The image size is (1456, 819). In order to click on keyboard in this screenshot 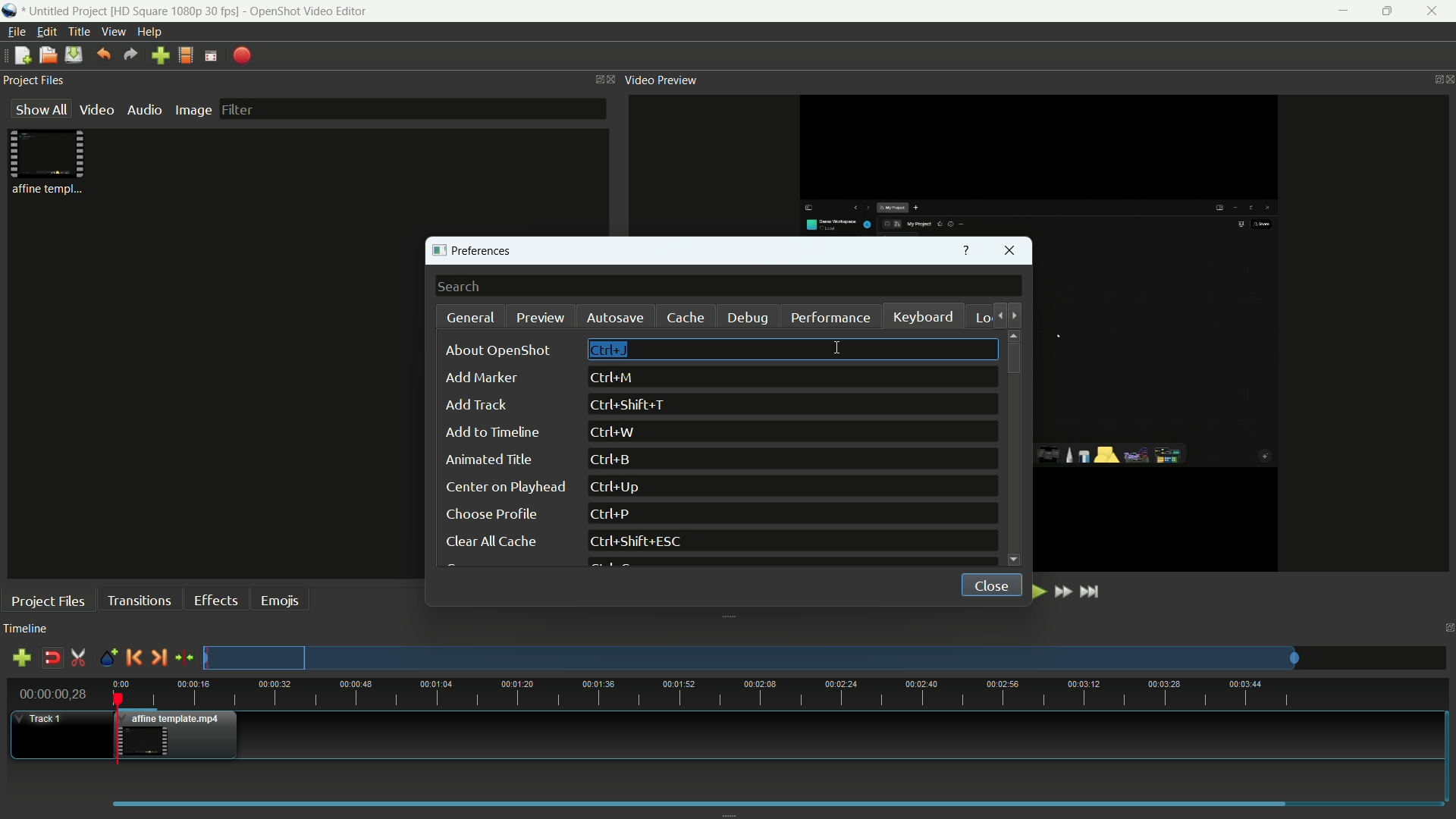, I will do `click(924, 318)`.